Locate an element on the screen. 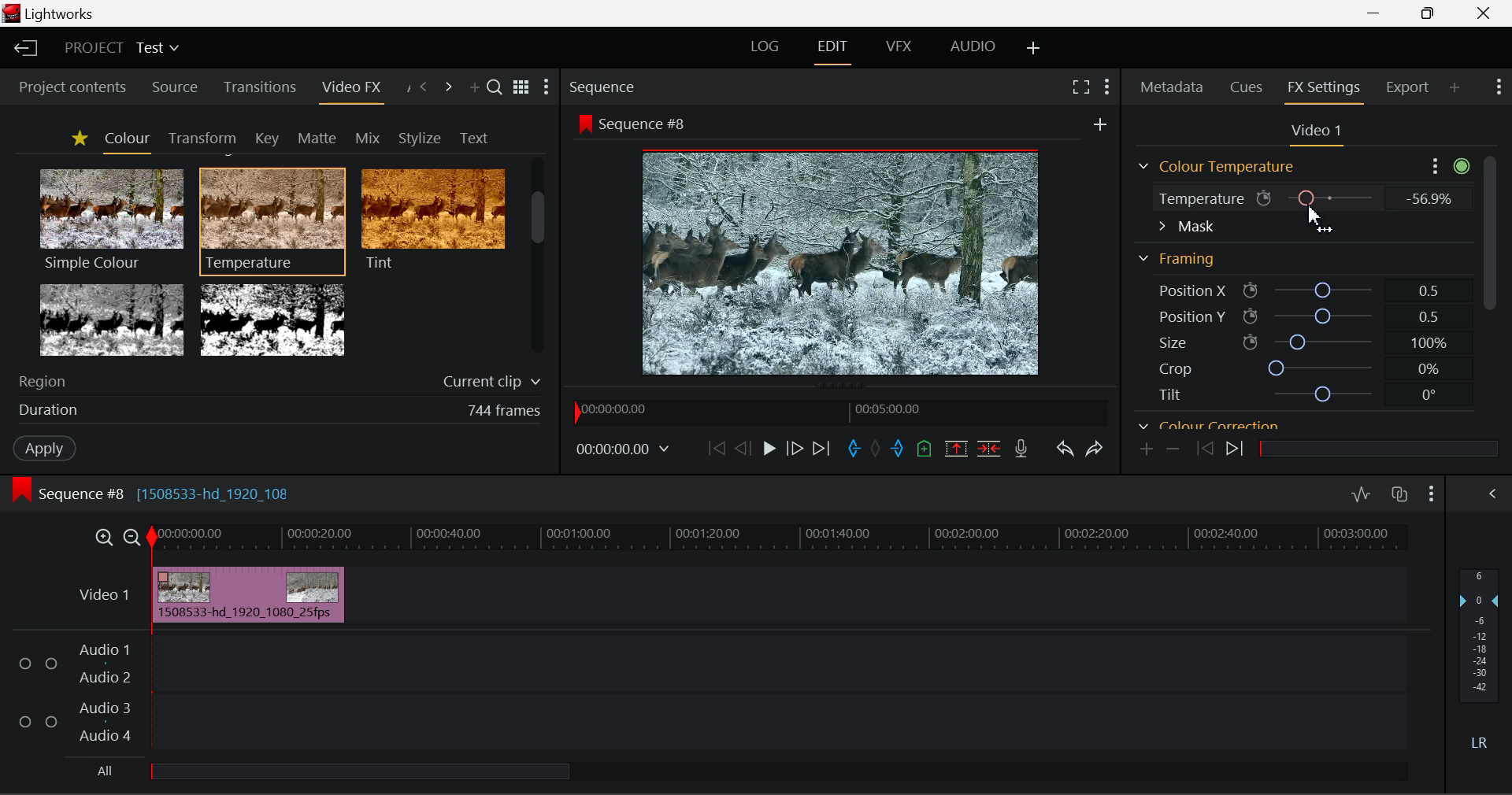 The height and width of the screenshot is (795, 1512). Region is located at coordinates (46, 380).